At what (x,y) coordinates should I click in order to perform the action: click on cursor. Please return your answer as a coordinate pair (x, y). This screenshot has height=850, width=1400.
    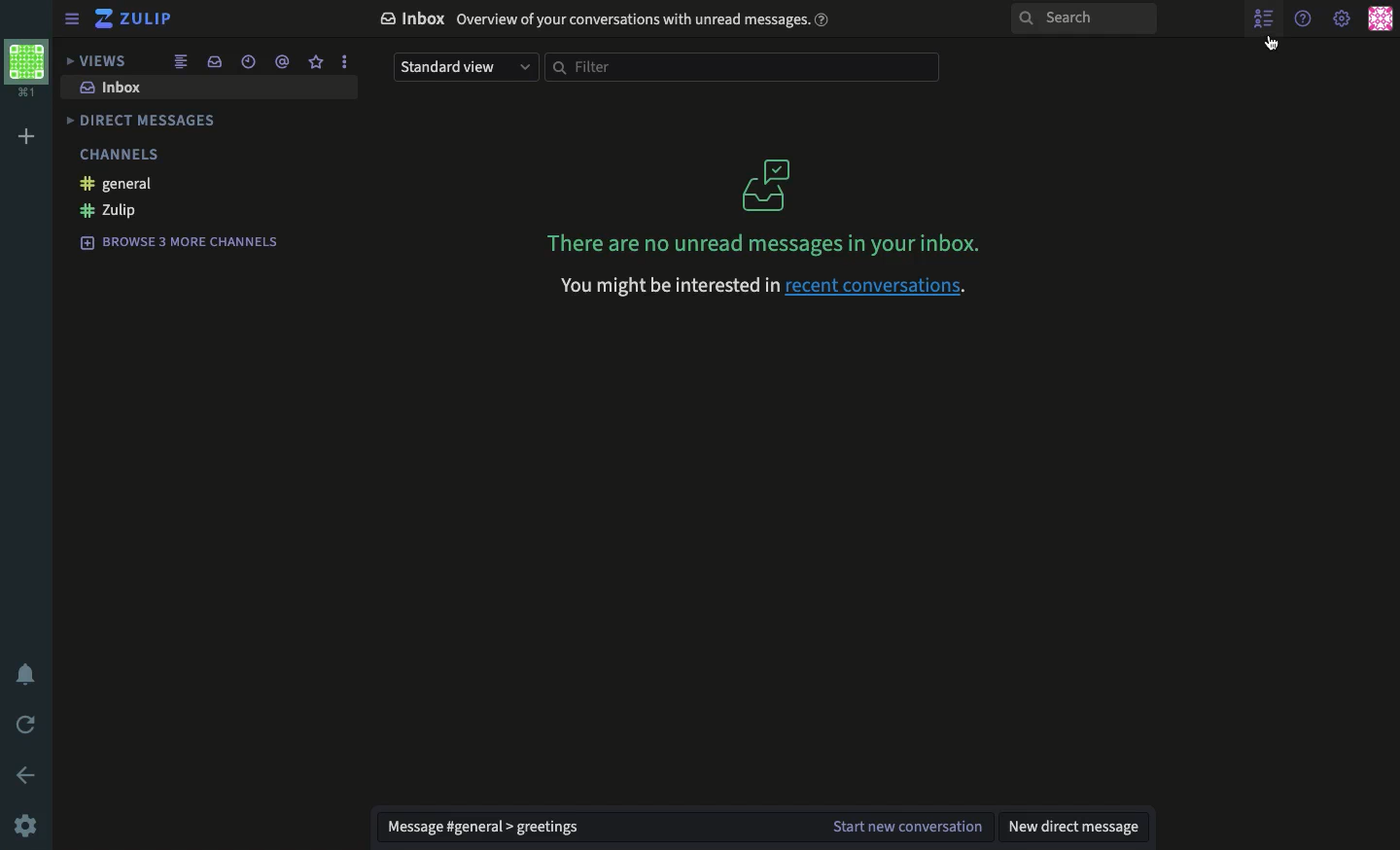
    Looking at the image, I should click on (1274, 45).